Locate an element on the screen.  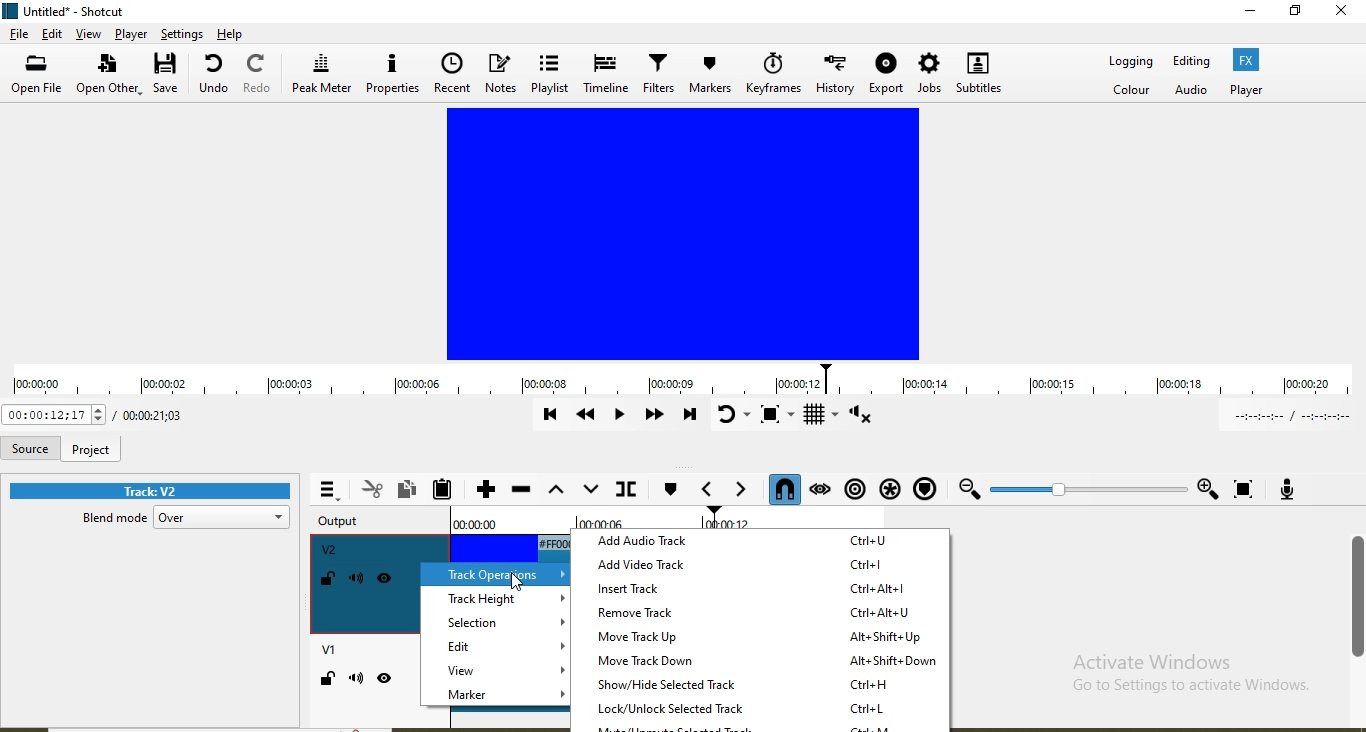
Settings is located at coordinates (184, 34).